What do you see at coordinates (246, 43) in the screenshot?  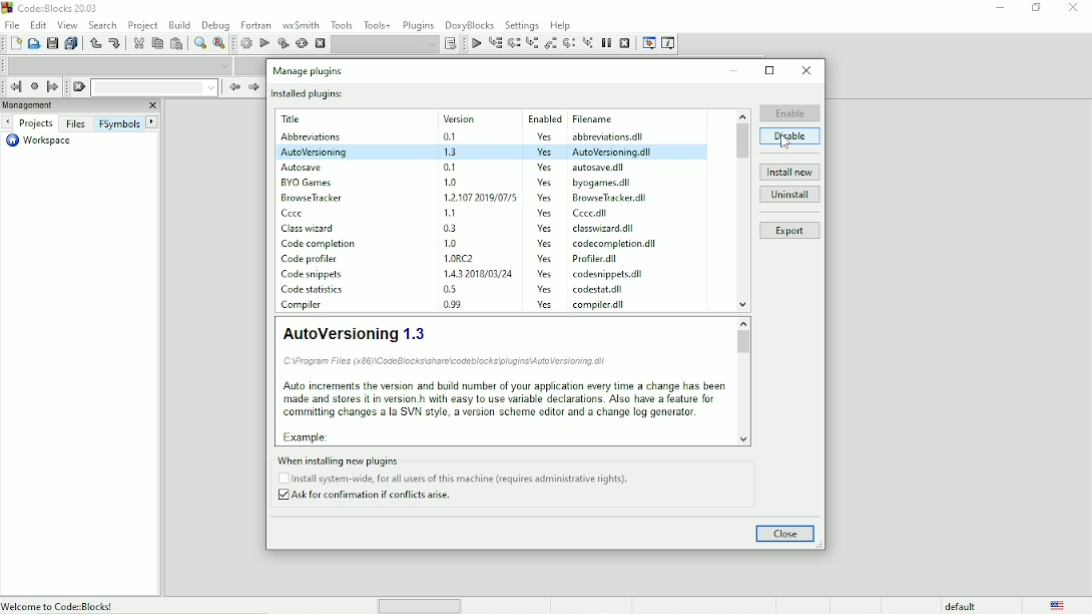 I see `Build` at bounding box center [246, 43].